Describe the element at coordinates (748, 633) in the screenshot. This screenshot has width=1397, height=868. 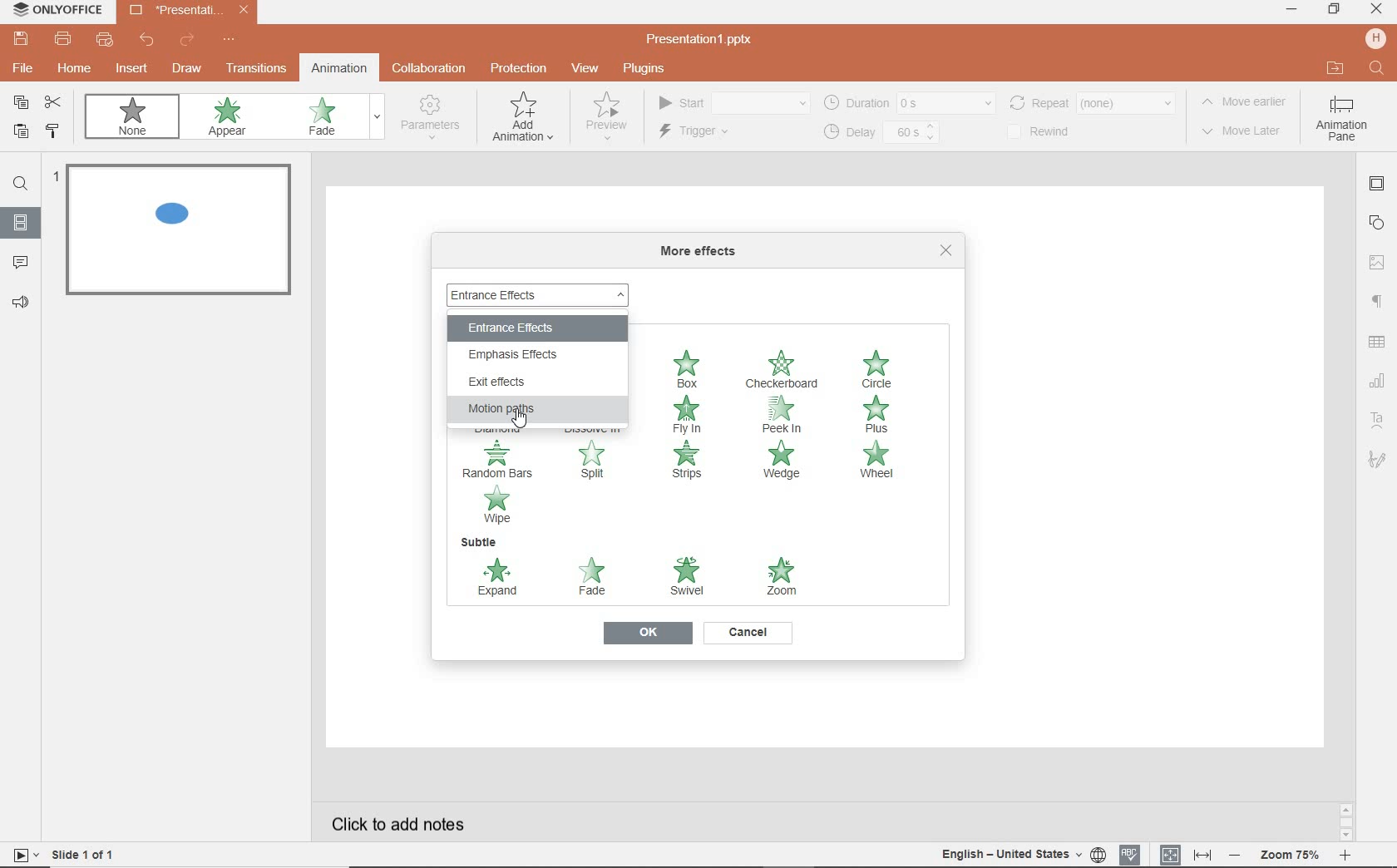
I see `CANCEL` at that location.